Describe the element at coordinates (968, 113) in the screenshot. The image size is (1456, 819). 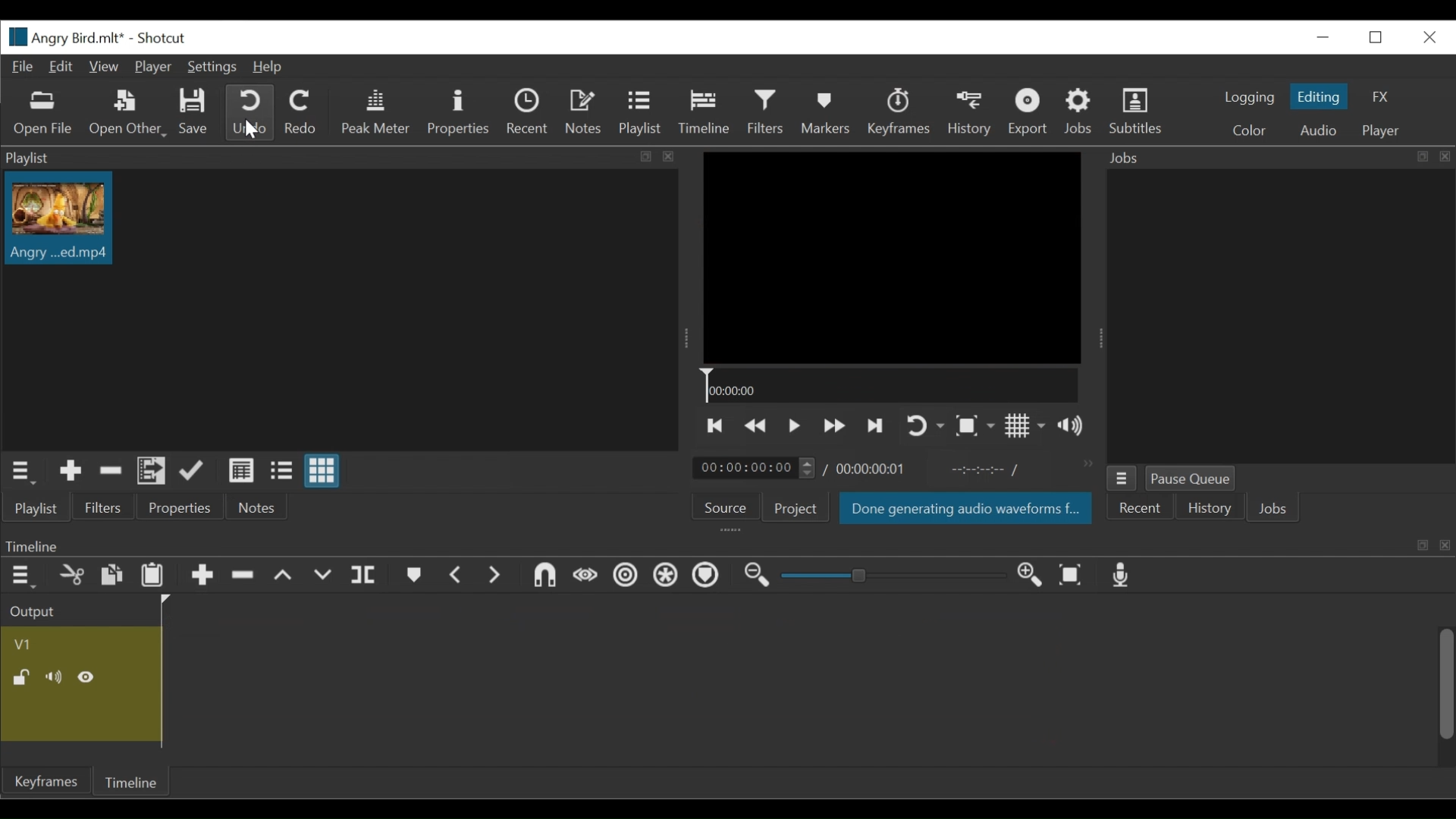
I see `History` at that location.